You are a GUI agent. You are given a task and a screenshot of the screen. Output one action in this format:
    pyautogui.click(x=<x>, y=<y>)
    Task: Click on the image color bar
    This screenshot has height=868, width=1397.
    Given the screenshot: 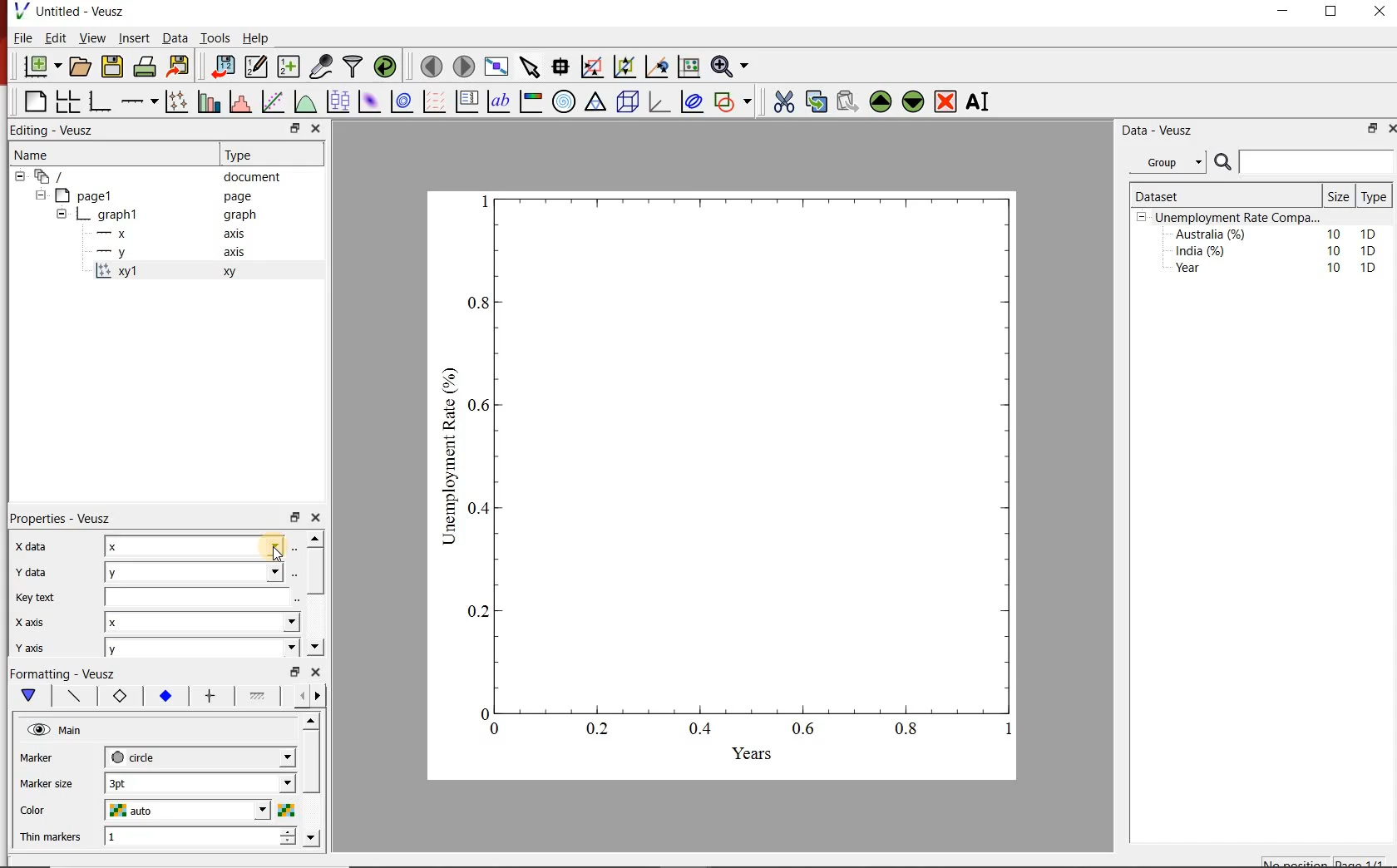 What is the action you would take?
    pyautogui.click(x=531, y=102)
    